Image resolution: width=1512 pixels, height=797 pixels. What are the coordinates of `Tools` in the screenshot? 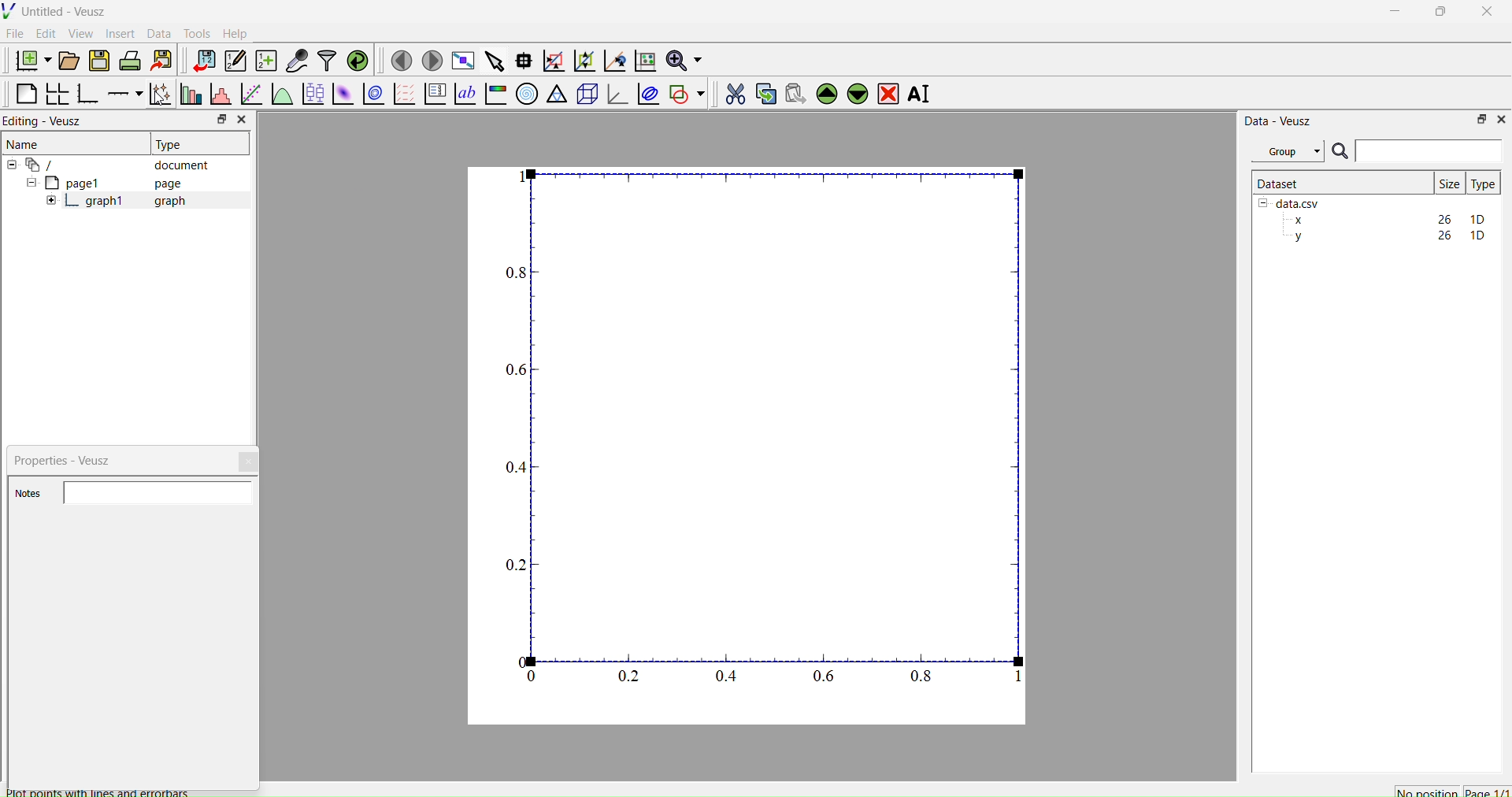 It's located at (194, 32).